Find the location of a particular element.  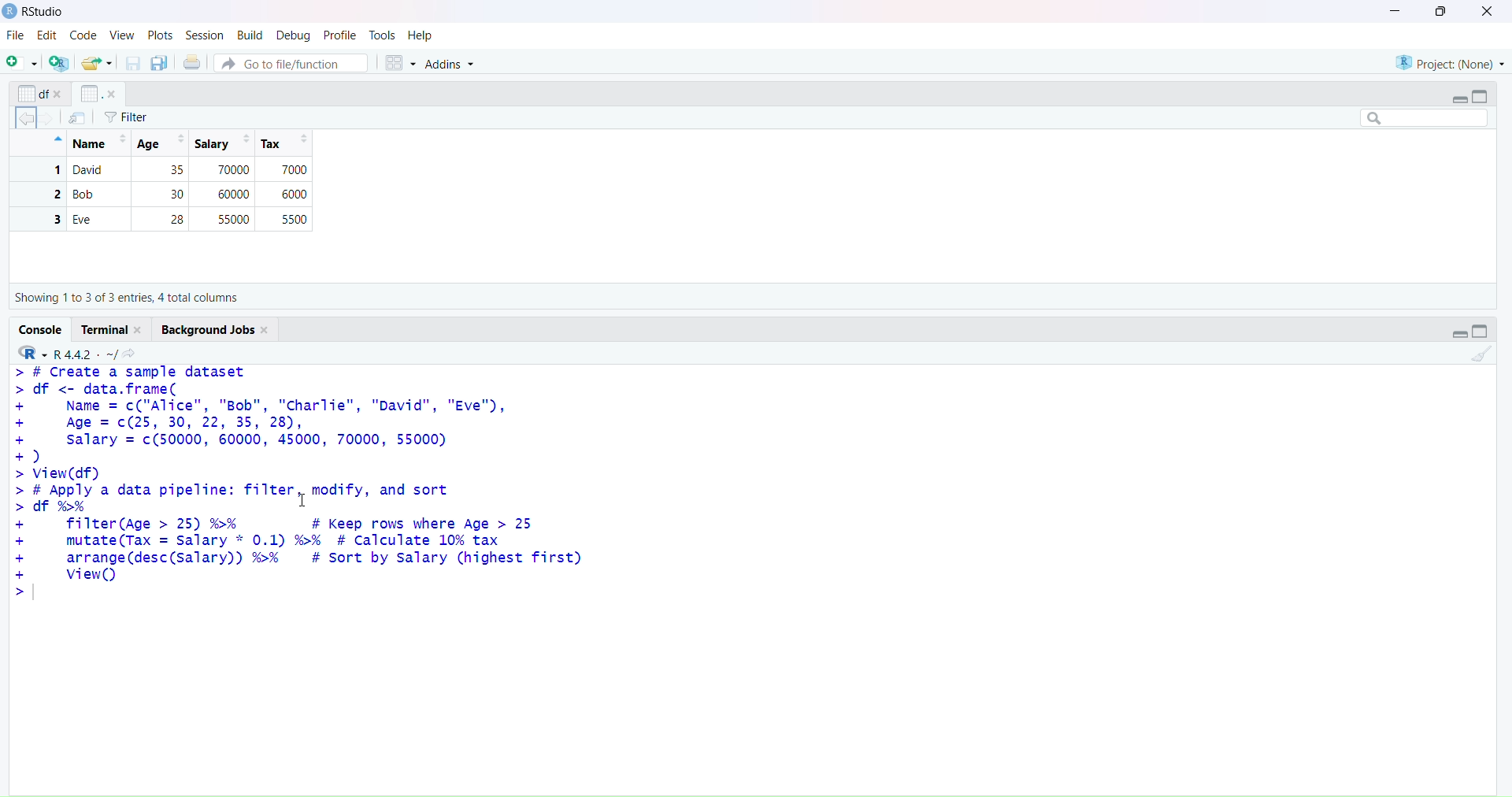

file is located at coordinates (16, 36).